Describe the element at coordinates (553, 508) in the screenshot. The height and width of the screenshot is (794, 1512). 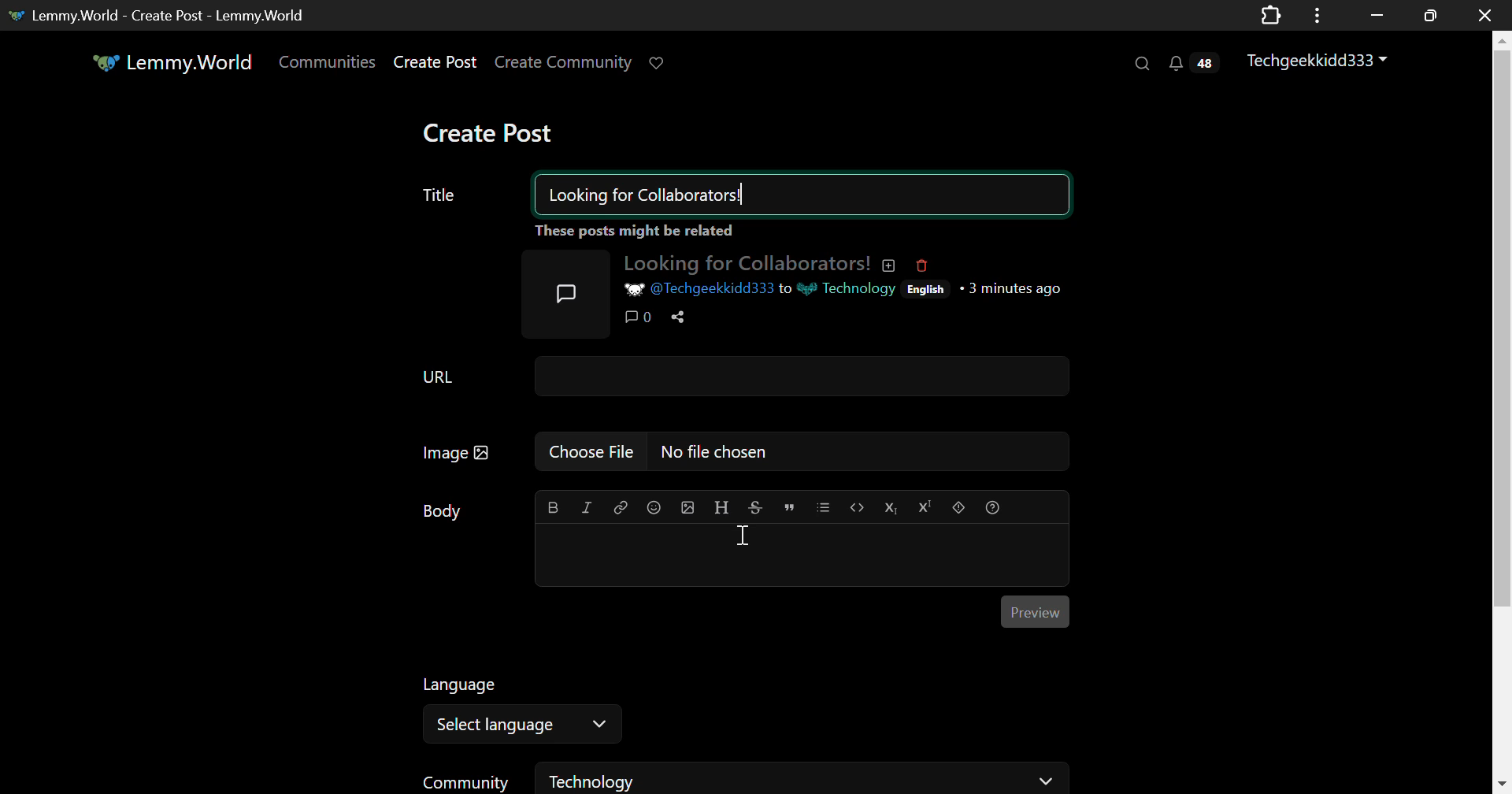
I see `bold` at that location.